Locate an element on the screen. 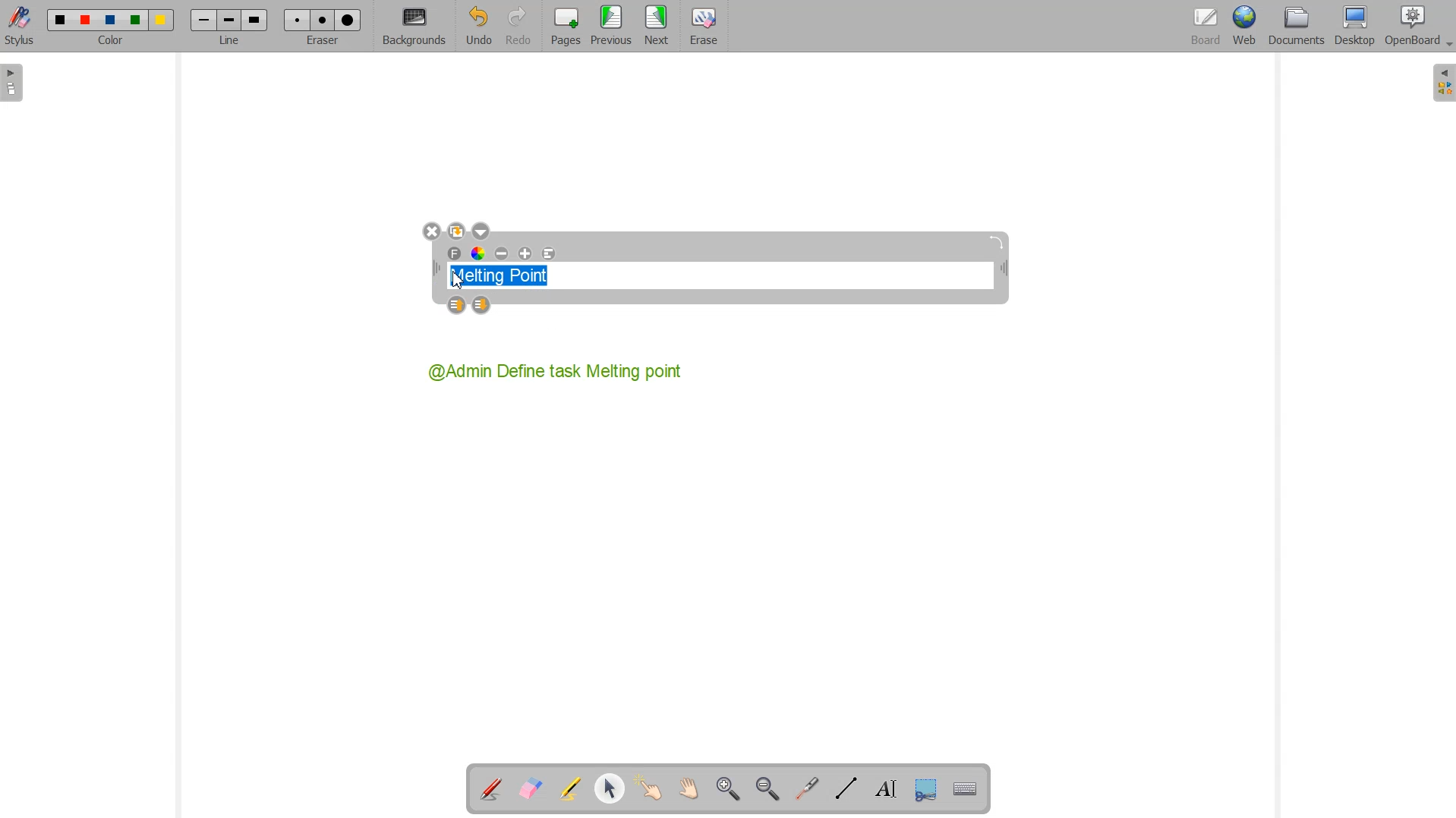 This screenshot has width=1456, height=818. Font Text  is located at coordinates (455, 254).